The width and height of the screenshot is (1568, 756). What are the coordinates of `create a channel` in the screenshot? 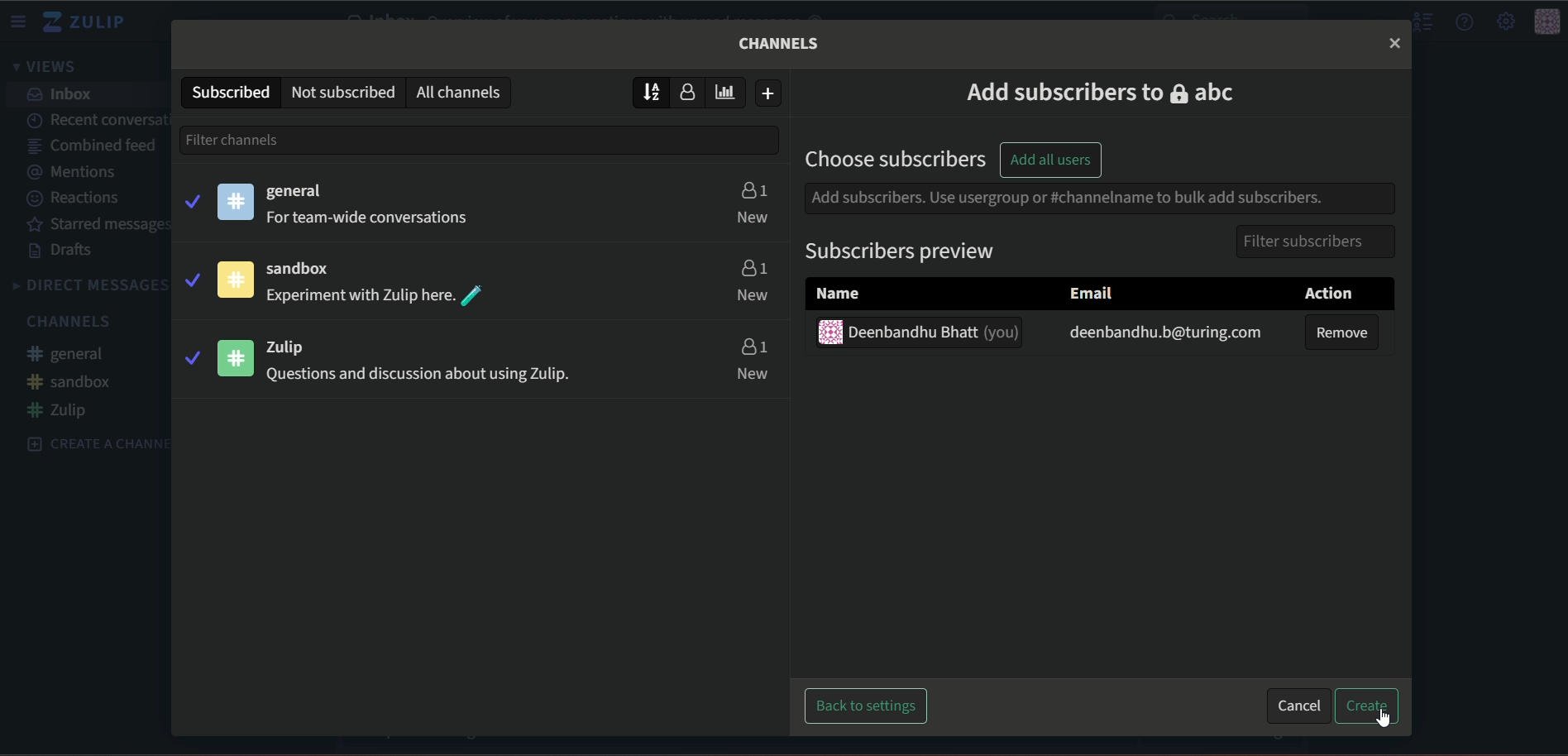 It's located at (89, 443).